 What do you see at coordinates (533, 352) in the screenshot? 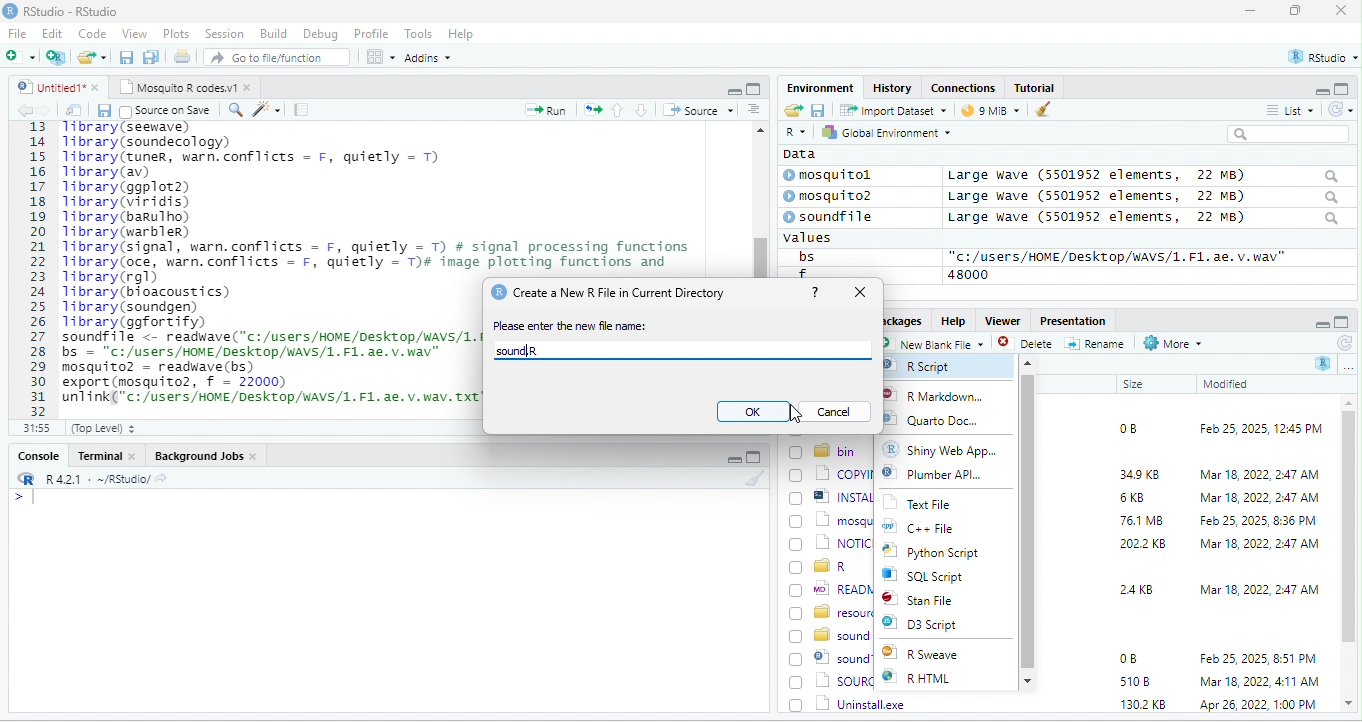
I see `sound.R` at bounding box center [533, 352].